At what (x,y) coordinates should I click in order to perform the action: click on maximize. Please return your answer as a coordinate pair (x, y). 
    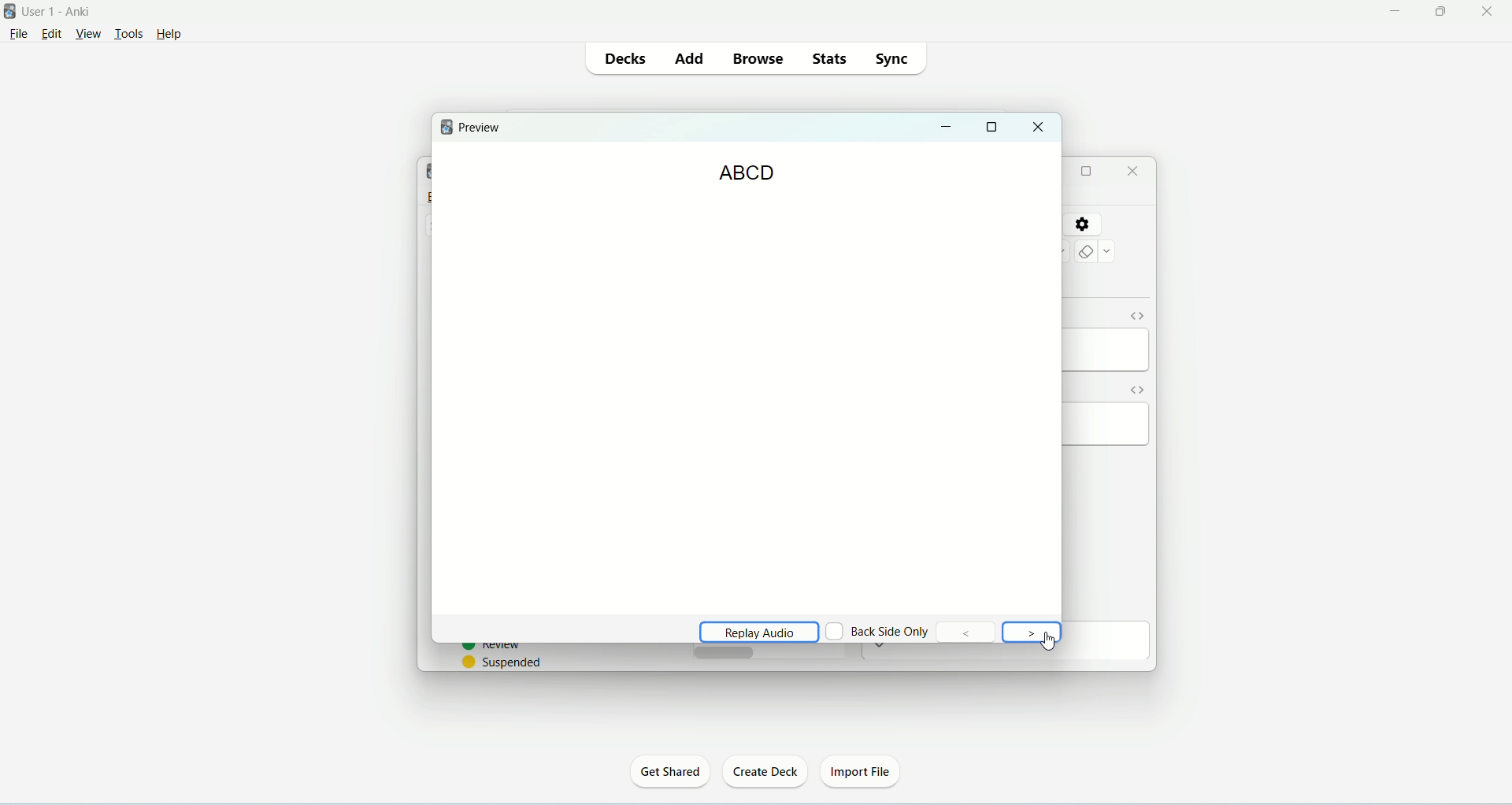
    Looking at the image, I should click on (994, 128).